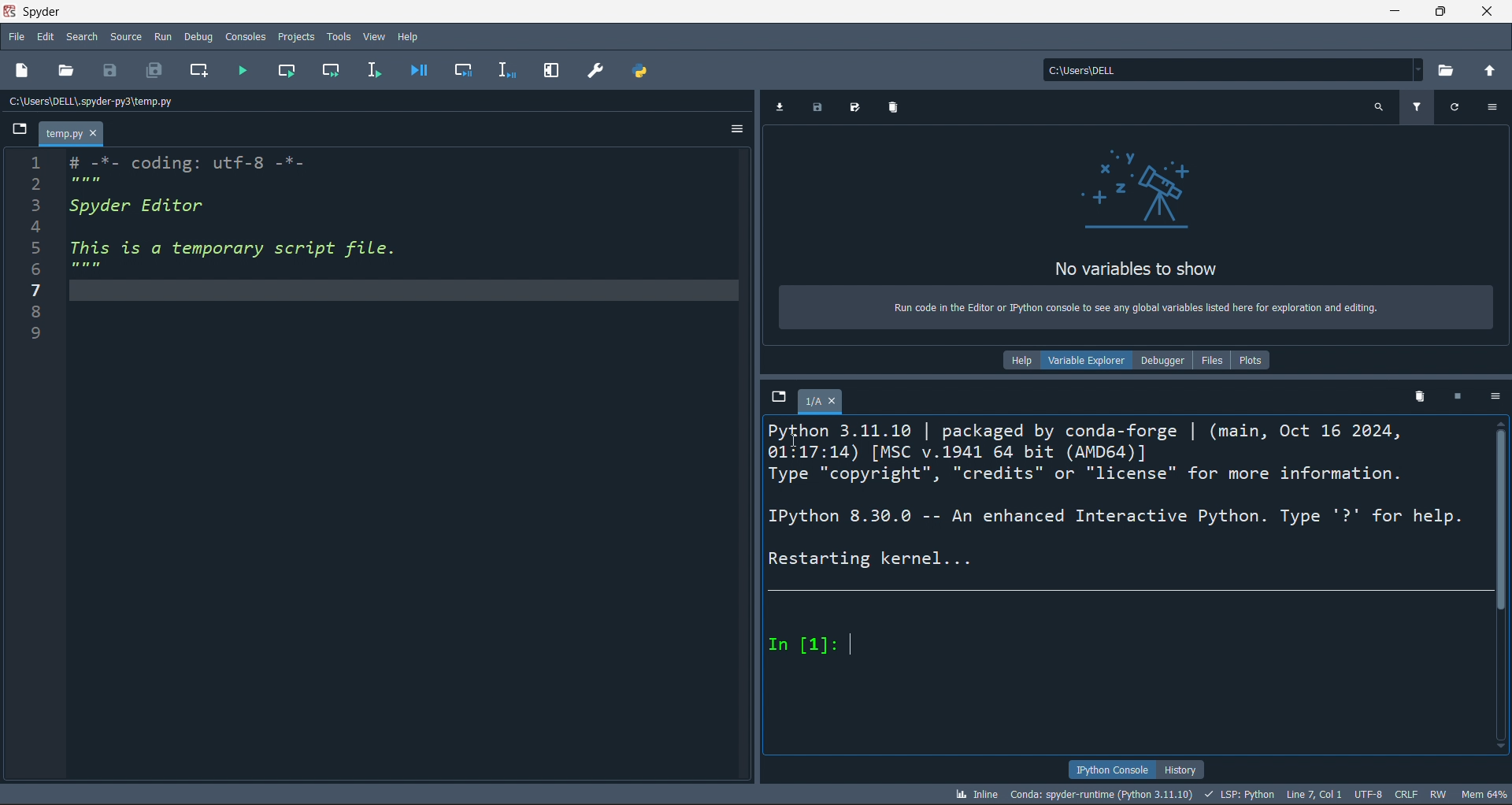 Image resolution: width=1512 pixels, height=805 pixels. I want to click on browse tabs, so click(778, 399).